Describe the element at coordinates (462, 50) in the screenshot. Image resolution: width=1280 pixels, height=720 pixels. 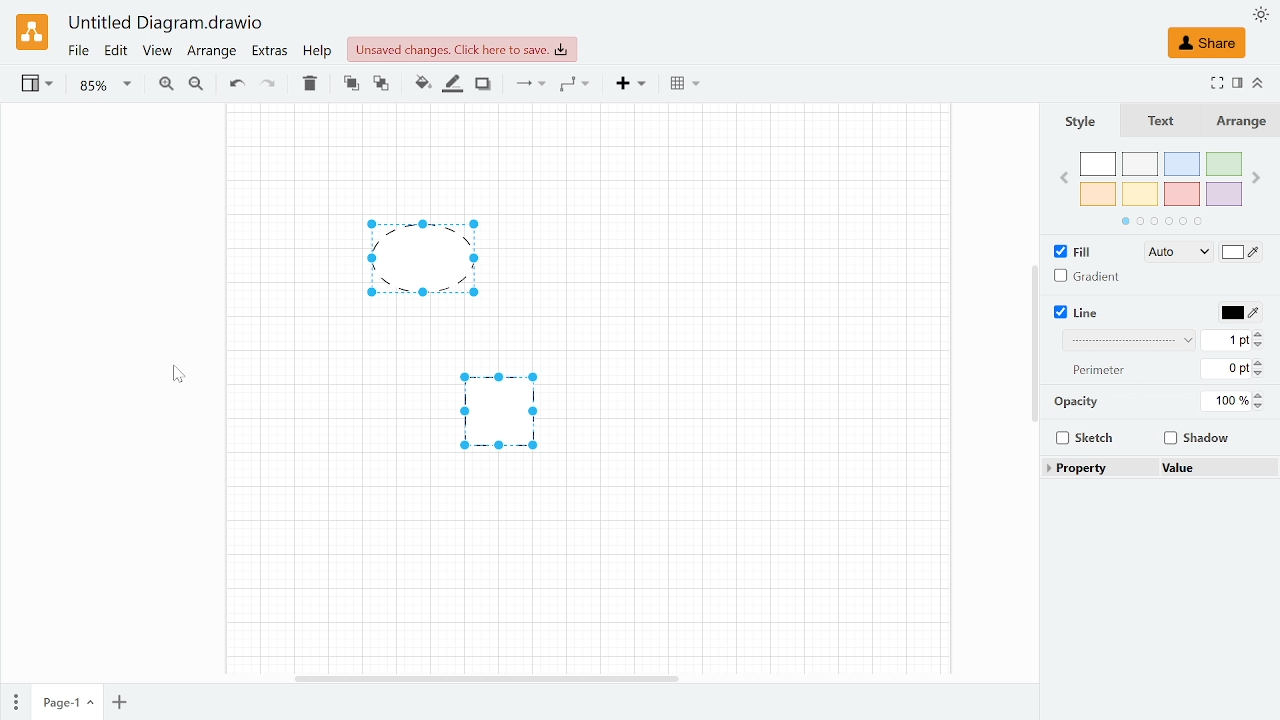
I see `Unsaved changes. click here to save` at that location.